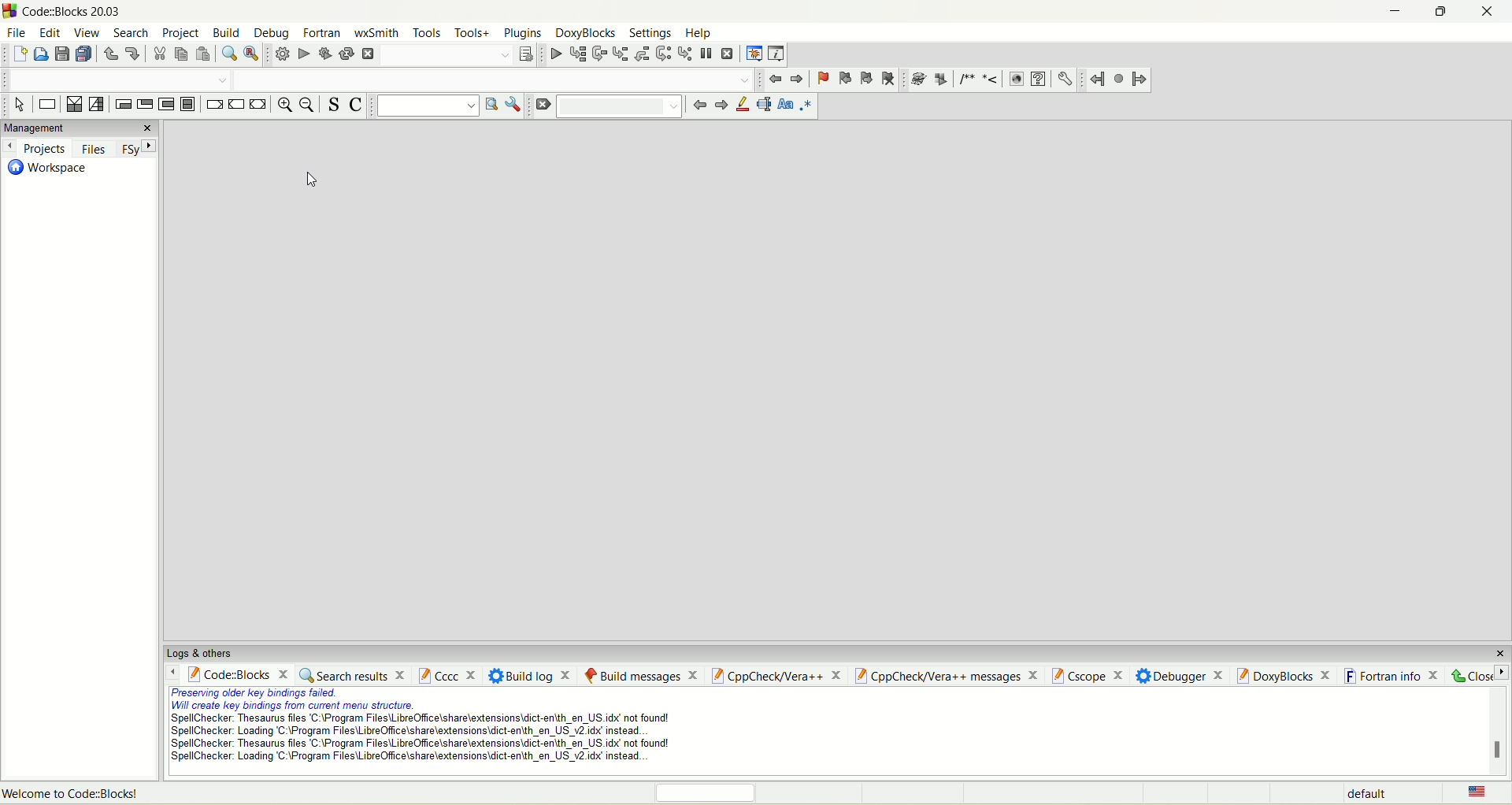 The height and width of the screenshot is (805, 1512). I want to click on wxSmith, so click(378, 32).